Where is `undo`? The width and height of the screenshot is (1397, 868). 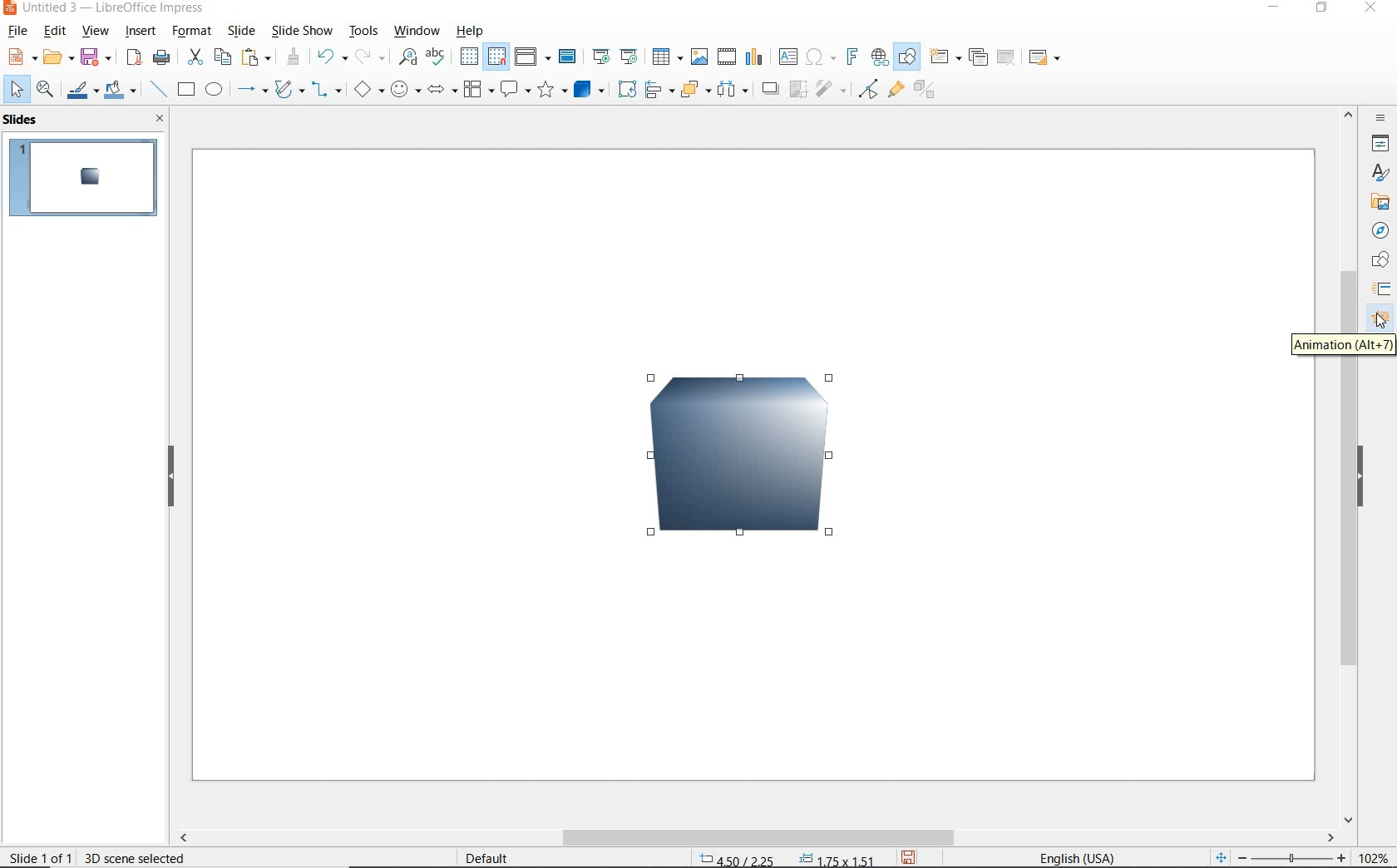
undo is located at coordinates (330, 57).